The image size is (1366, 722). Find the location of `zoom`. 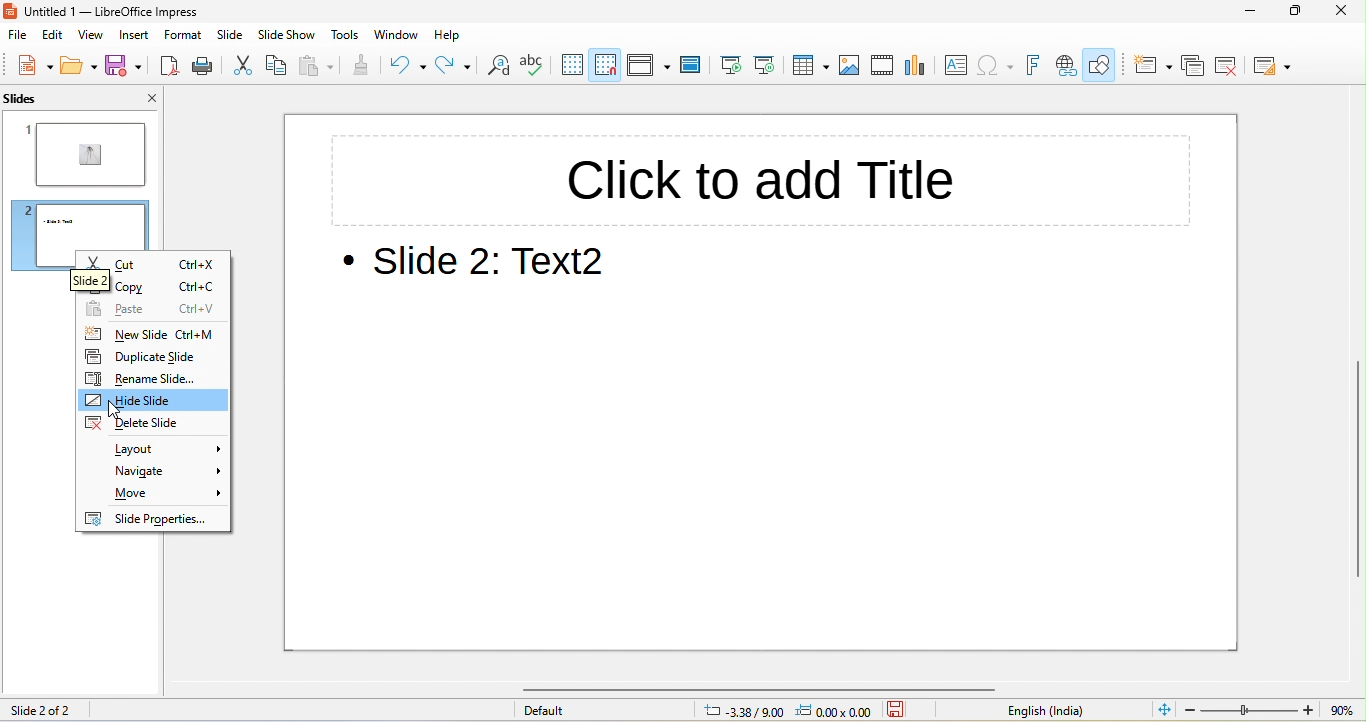

zoom is located at coordinates (1273, 710).